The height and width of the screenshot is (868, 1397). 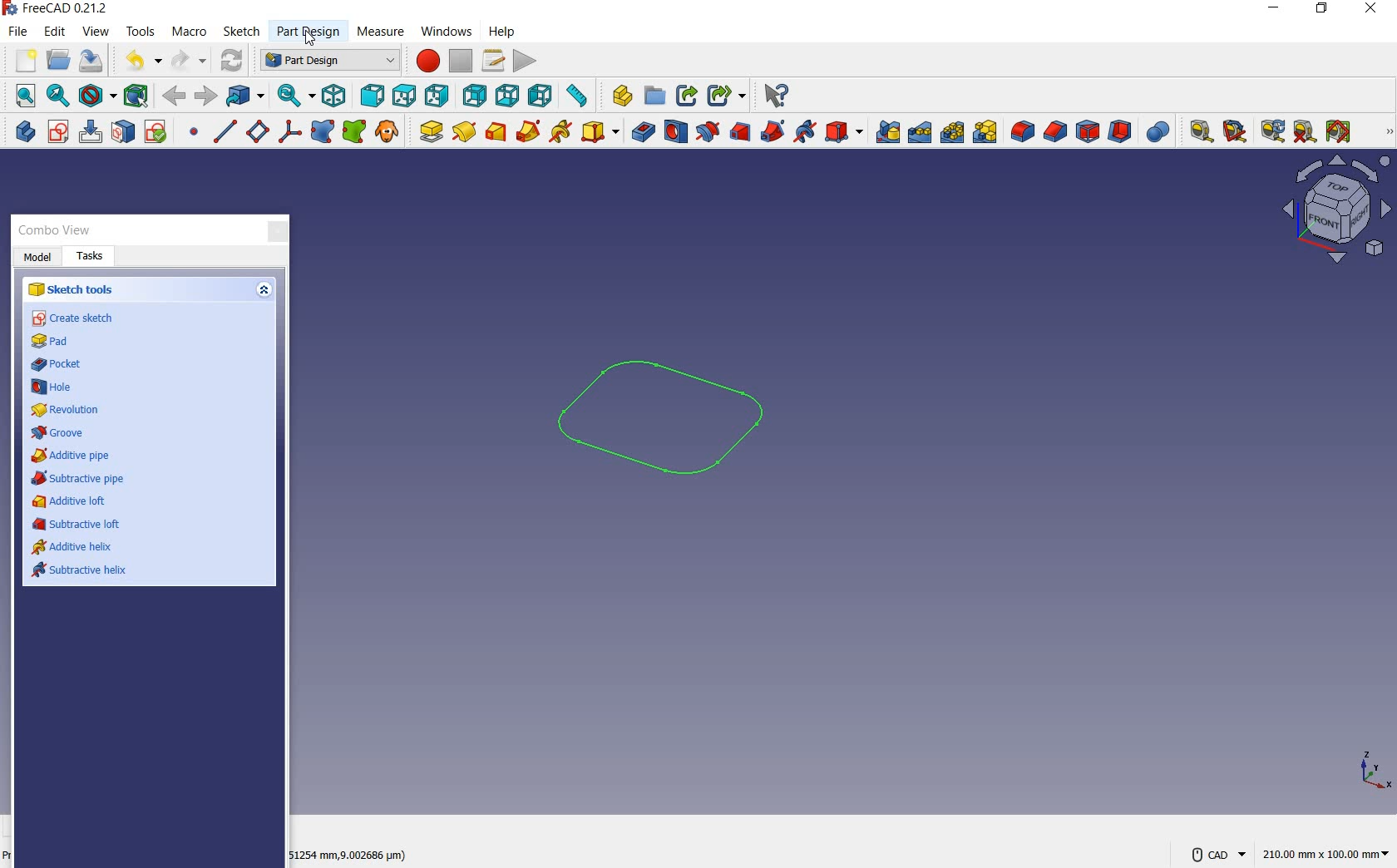 I want to click on create an additive primitive, so click(x=598, y=132).